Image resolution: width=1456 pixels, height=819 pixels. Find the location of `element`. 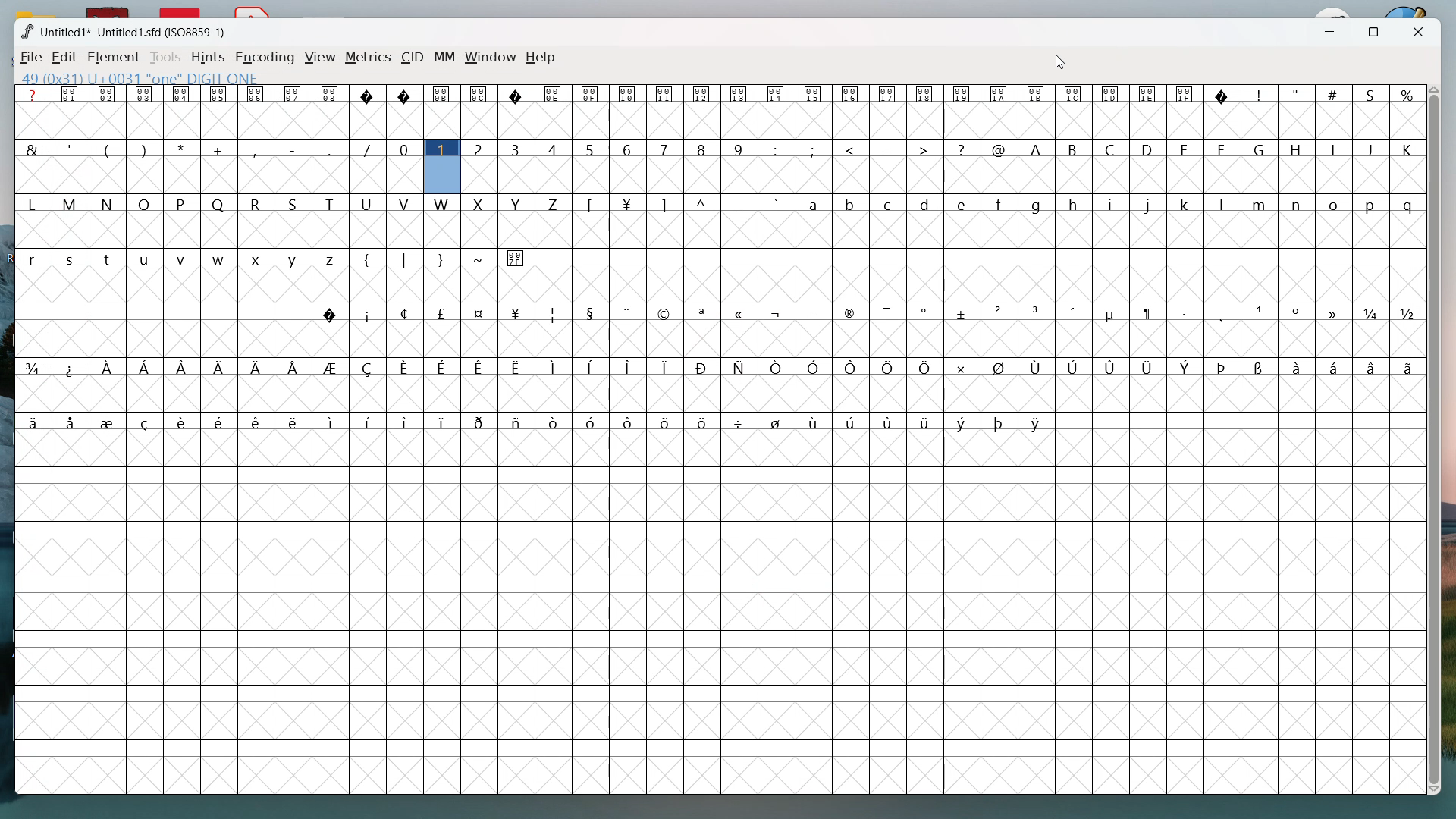

element is located at coordinates (115, 57).